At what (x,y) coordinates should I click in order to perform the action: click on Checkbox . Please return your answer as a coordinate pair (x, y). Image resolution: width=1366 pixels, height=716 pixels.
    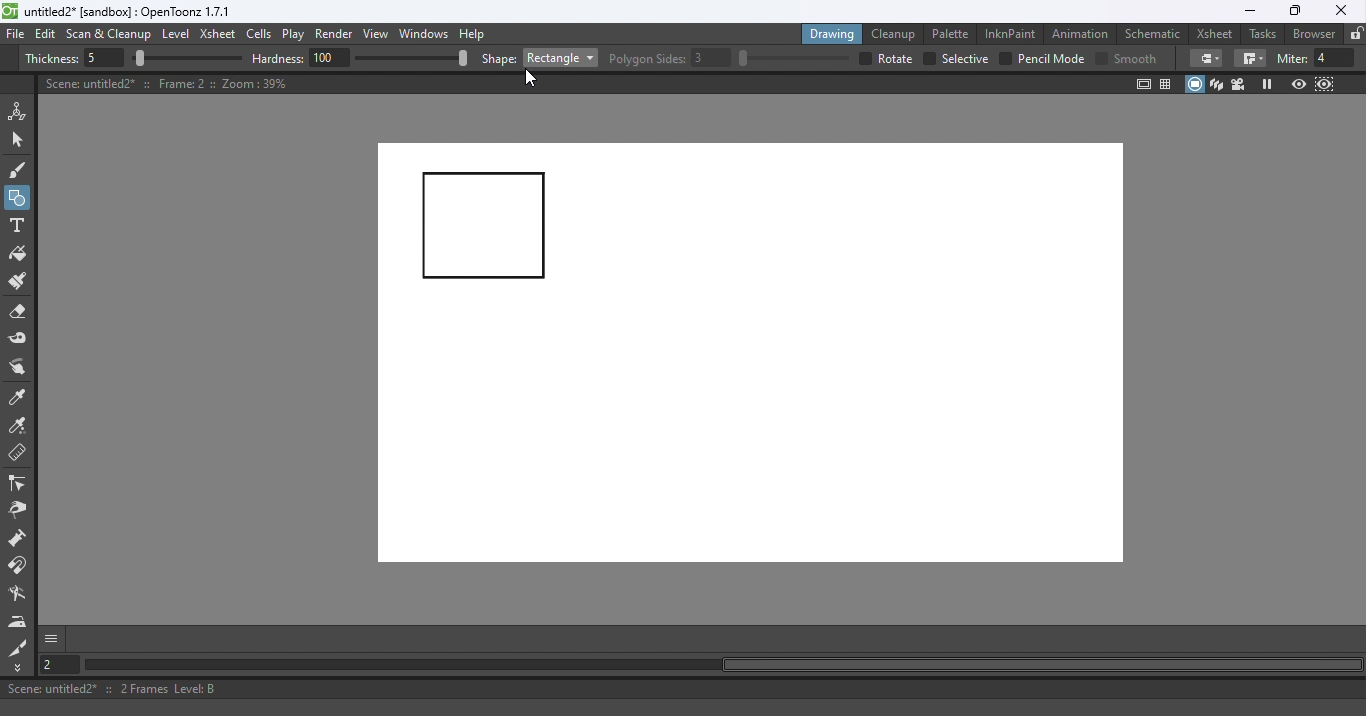
    Looking at the image, I should click on (1101, 57).